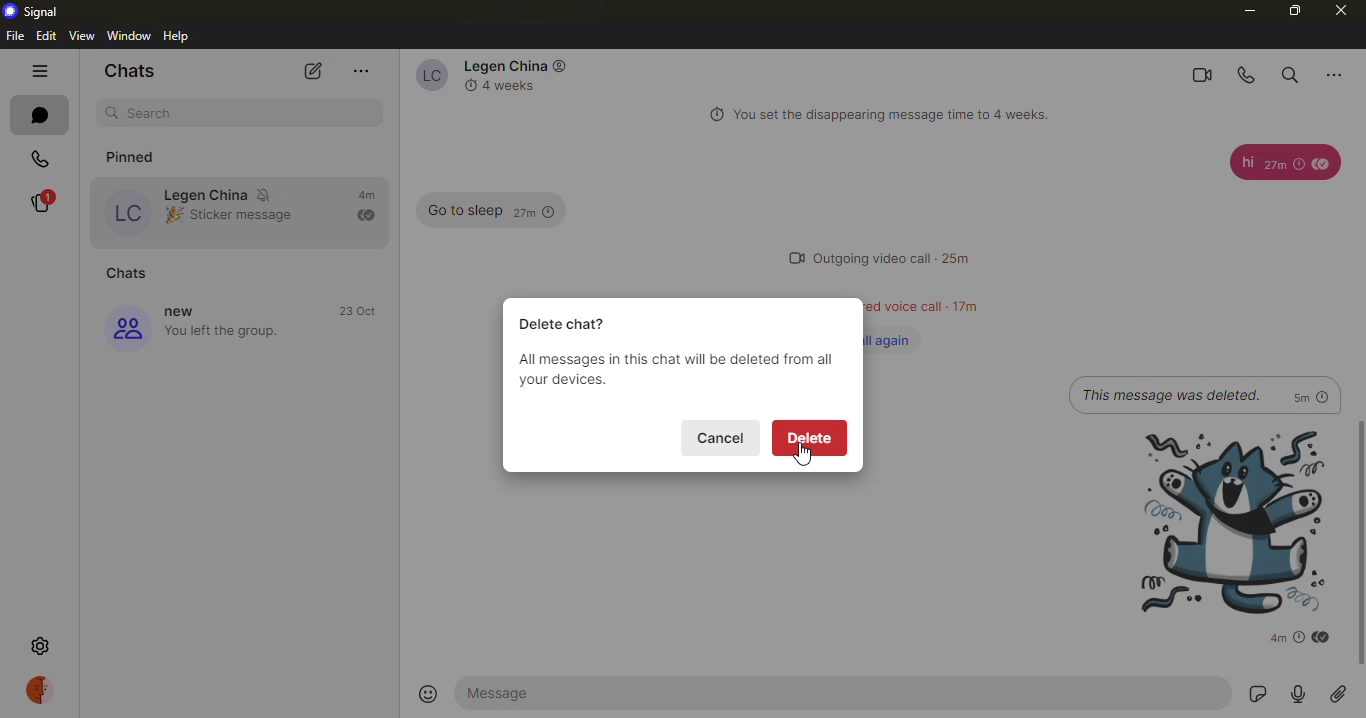  Describe the element at coordinates (561, 65) in the screenshot. I see `logo` at that location.